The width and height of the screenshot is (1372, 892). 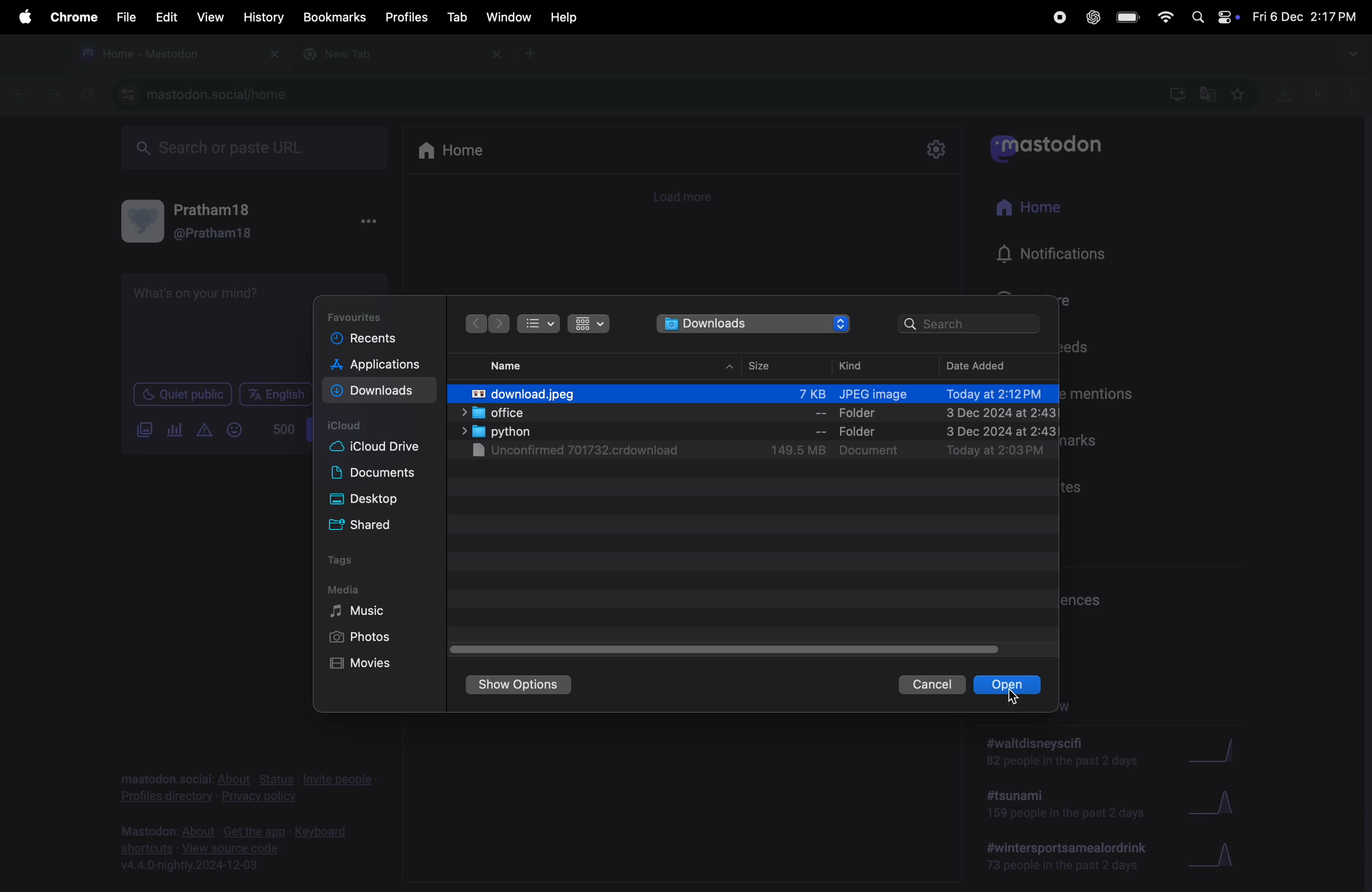 What do you see at coordinates (754, 413) in the screenshot?
I see `office folder` at bounding box center [754, 413].